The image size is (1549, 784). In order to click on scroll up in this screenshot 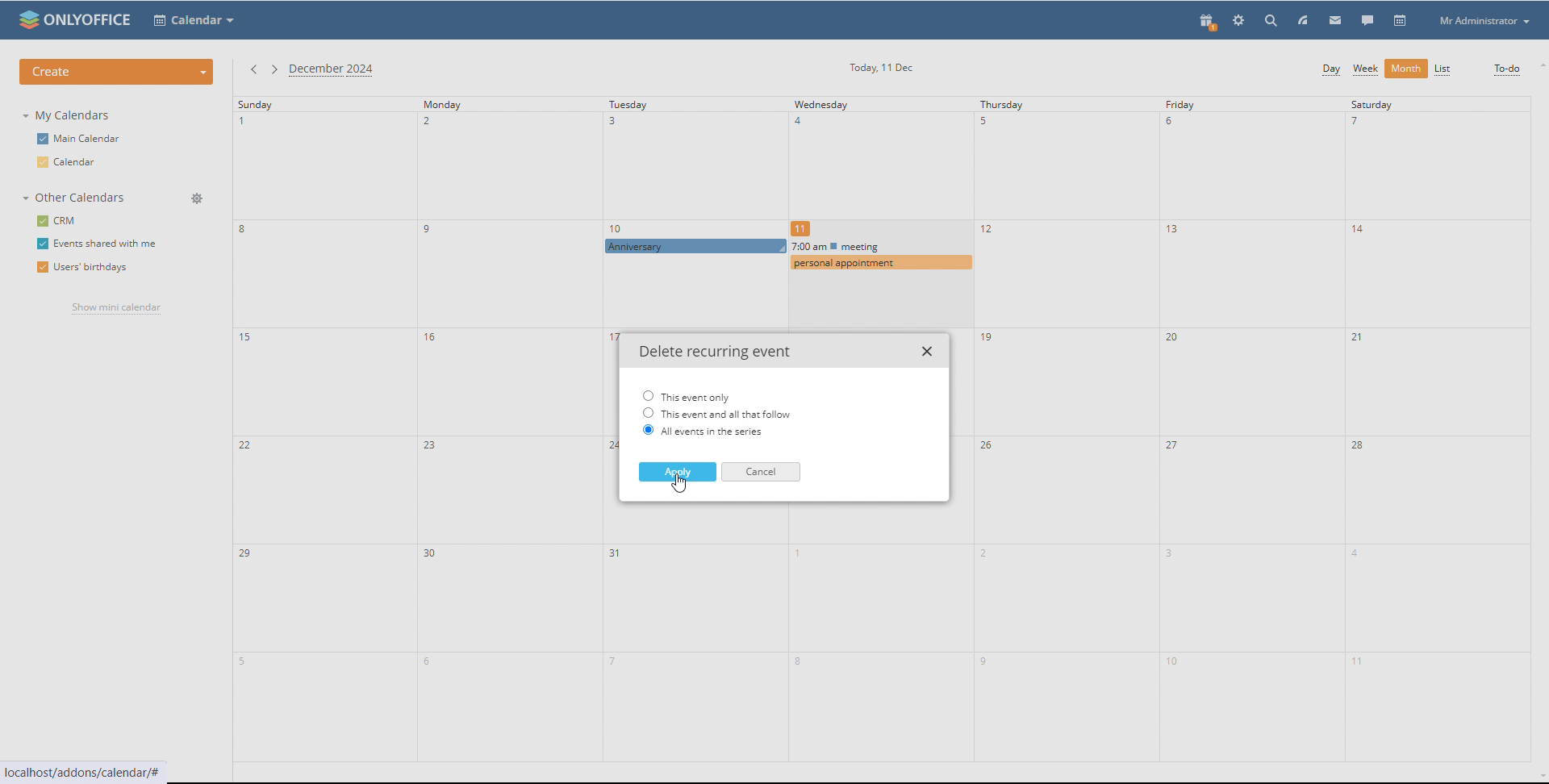, I will do `click(1539, 65)`.